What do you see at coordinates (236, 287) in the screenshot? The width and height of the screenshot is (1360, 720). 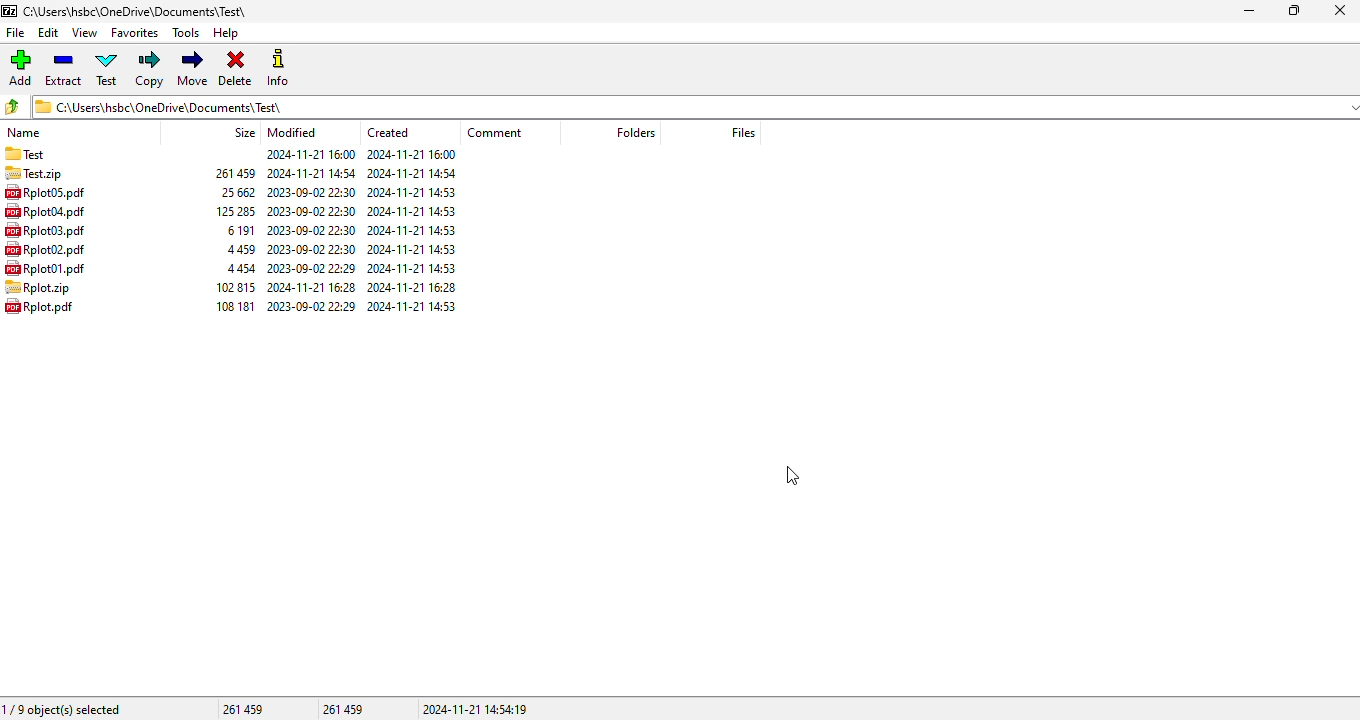 I see `size` at bounding box center [236, 287].